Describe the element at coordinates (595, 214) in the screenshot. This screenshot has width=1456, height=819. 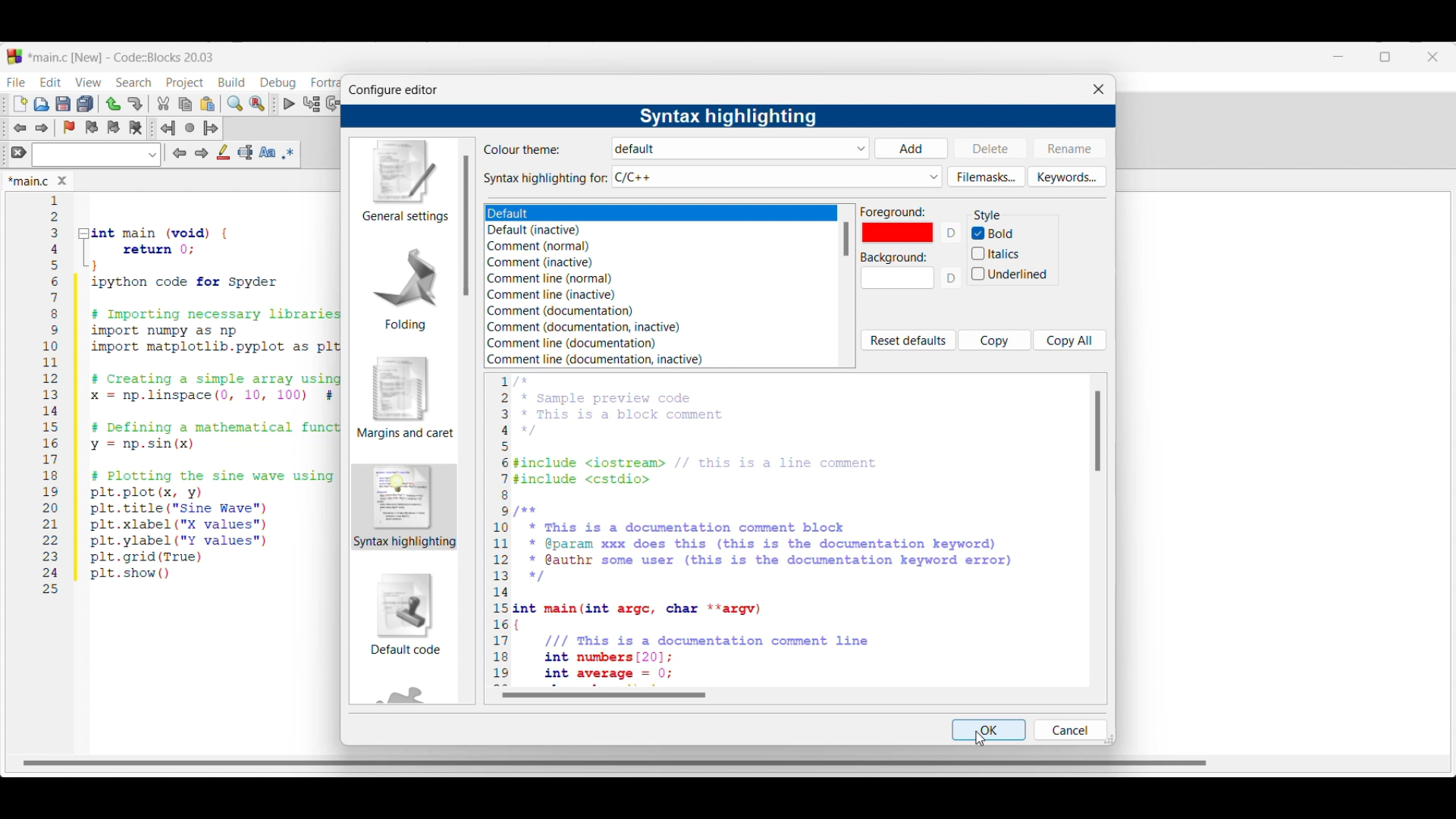
I see `Theme options` at that location.